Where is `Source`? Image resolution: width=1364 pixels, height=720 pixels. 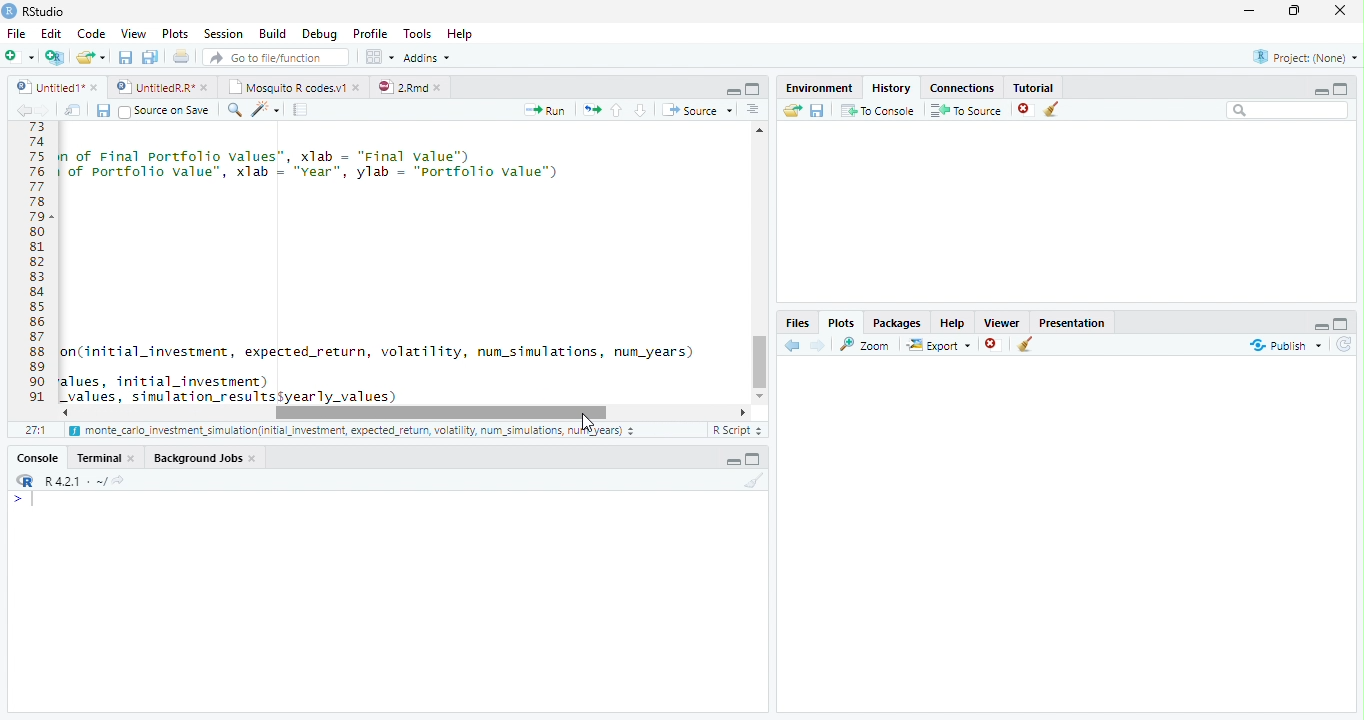
Source is located at coordinates (696, 109).